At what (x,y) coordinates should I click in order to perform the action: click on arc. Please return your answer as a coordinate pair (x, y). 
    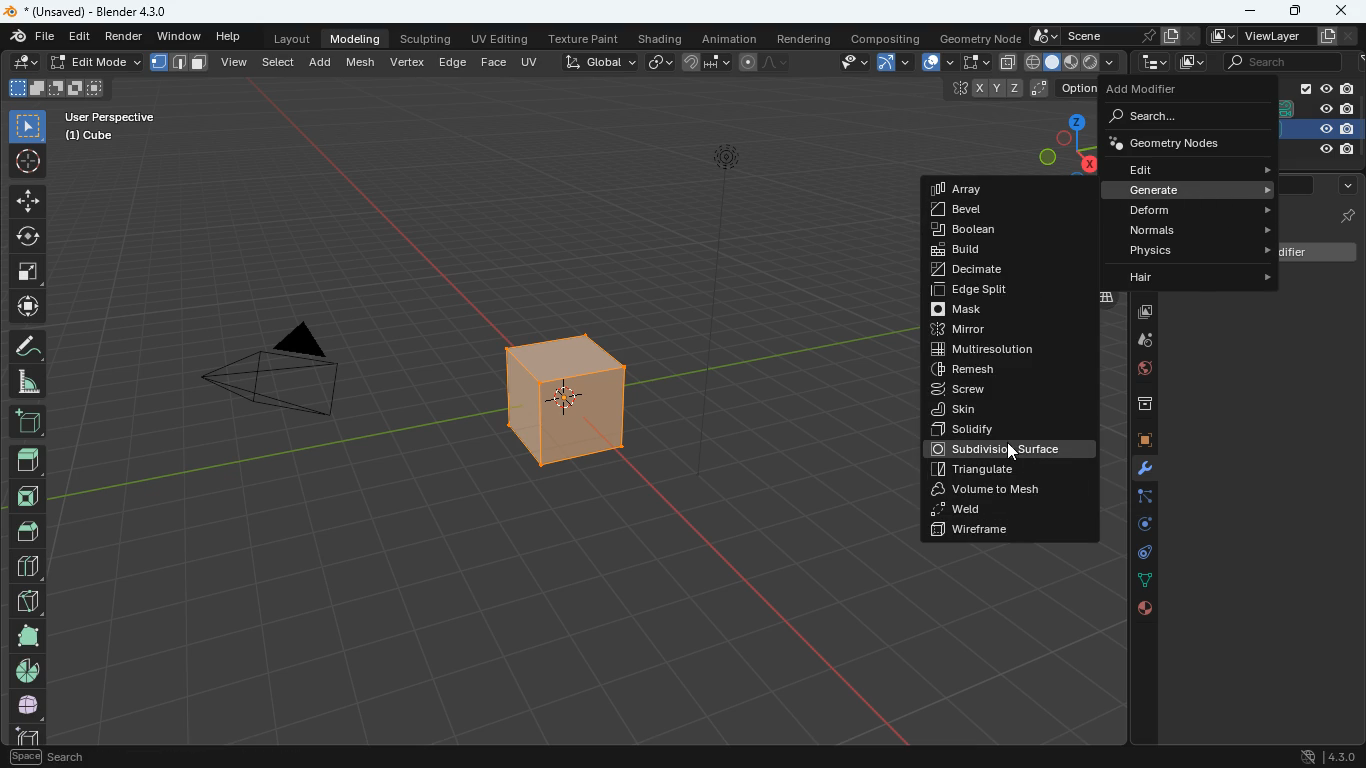
    Looking at the image, I should click on (892, 62).